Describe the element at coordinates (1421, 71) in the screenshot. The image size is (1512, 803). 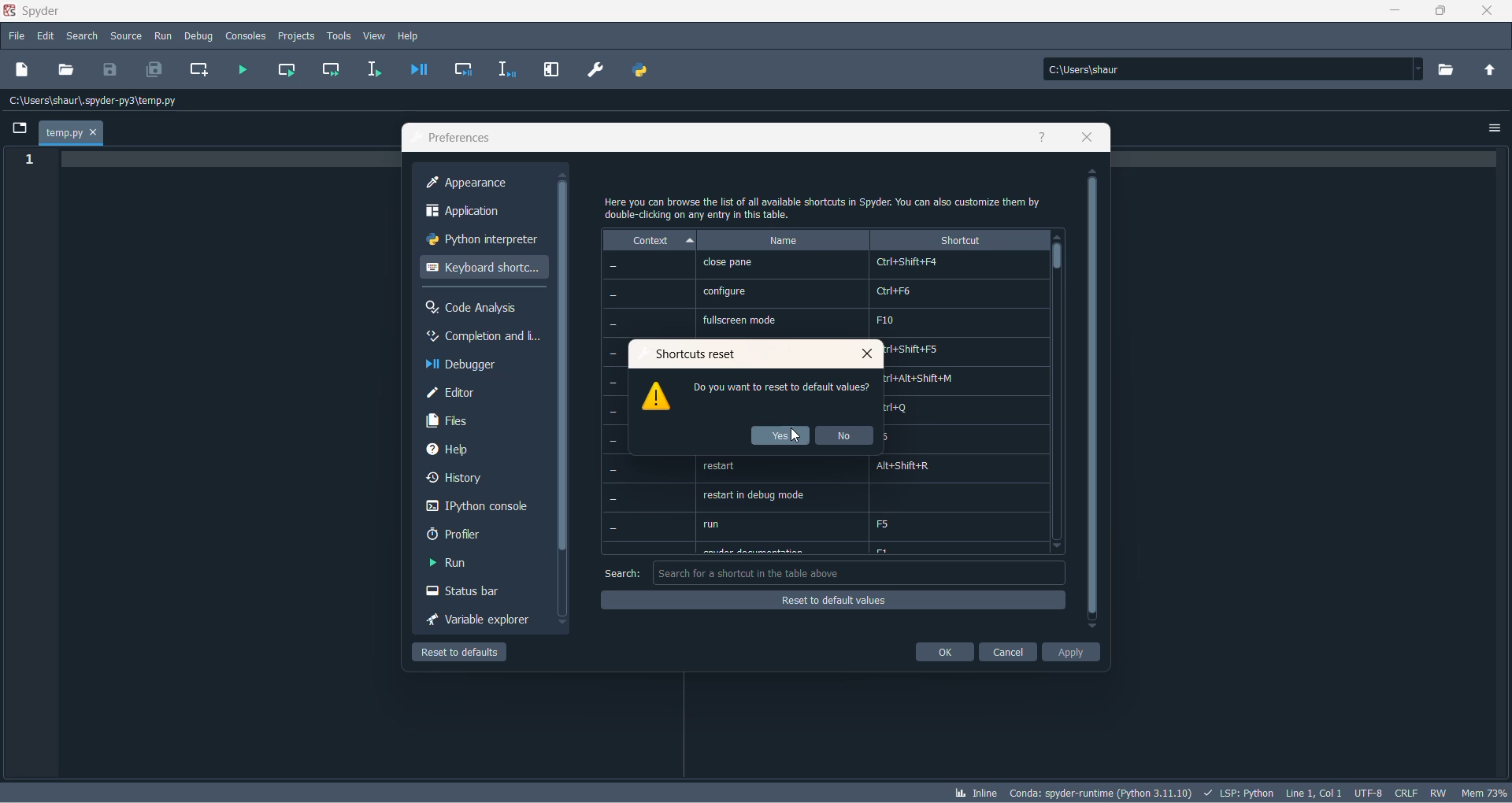
I see `path dropdown` at that location.